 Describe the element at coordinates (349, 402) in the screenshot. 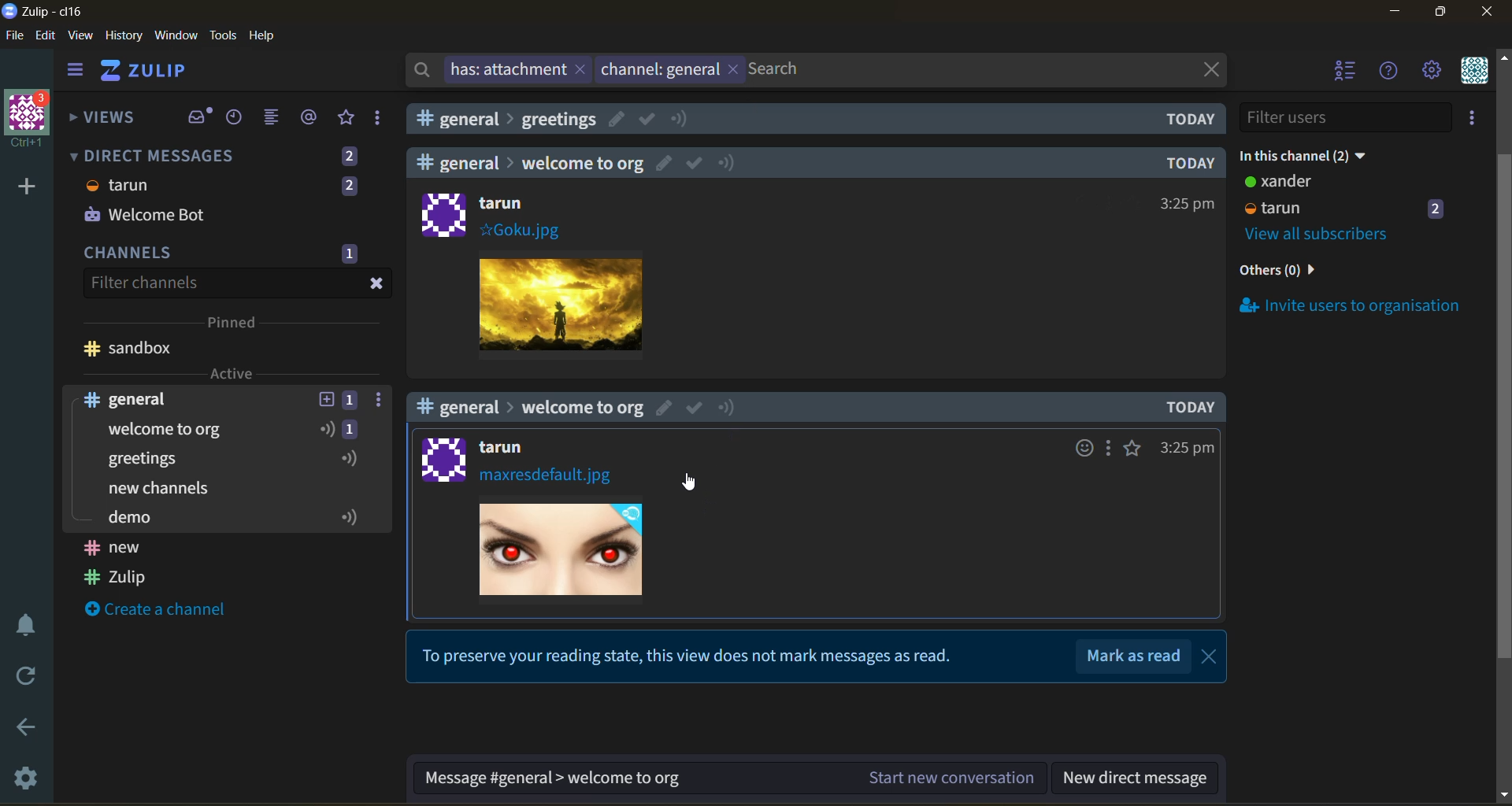

I see `1` at that location.